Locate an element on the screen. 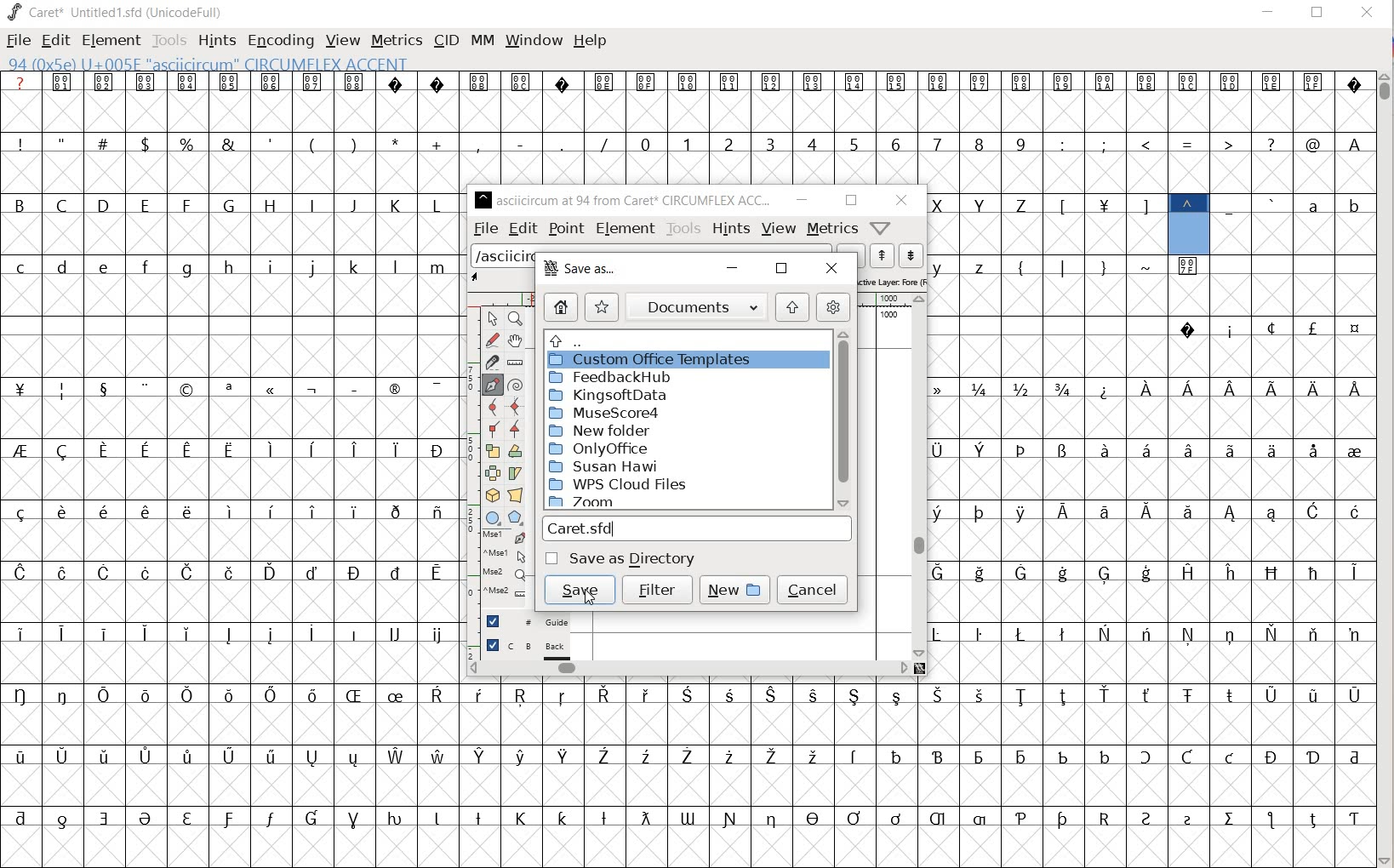 The height and width of the screenshot is (868, 1394). New Folder is located at coordinates (599, 430).